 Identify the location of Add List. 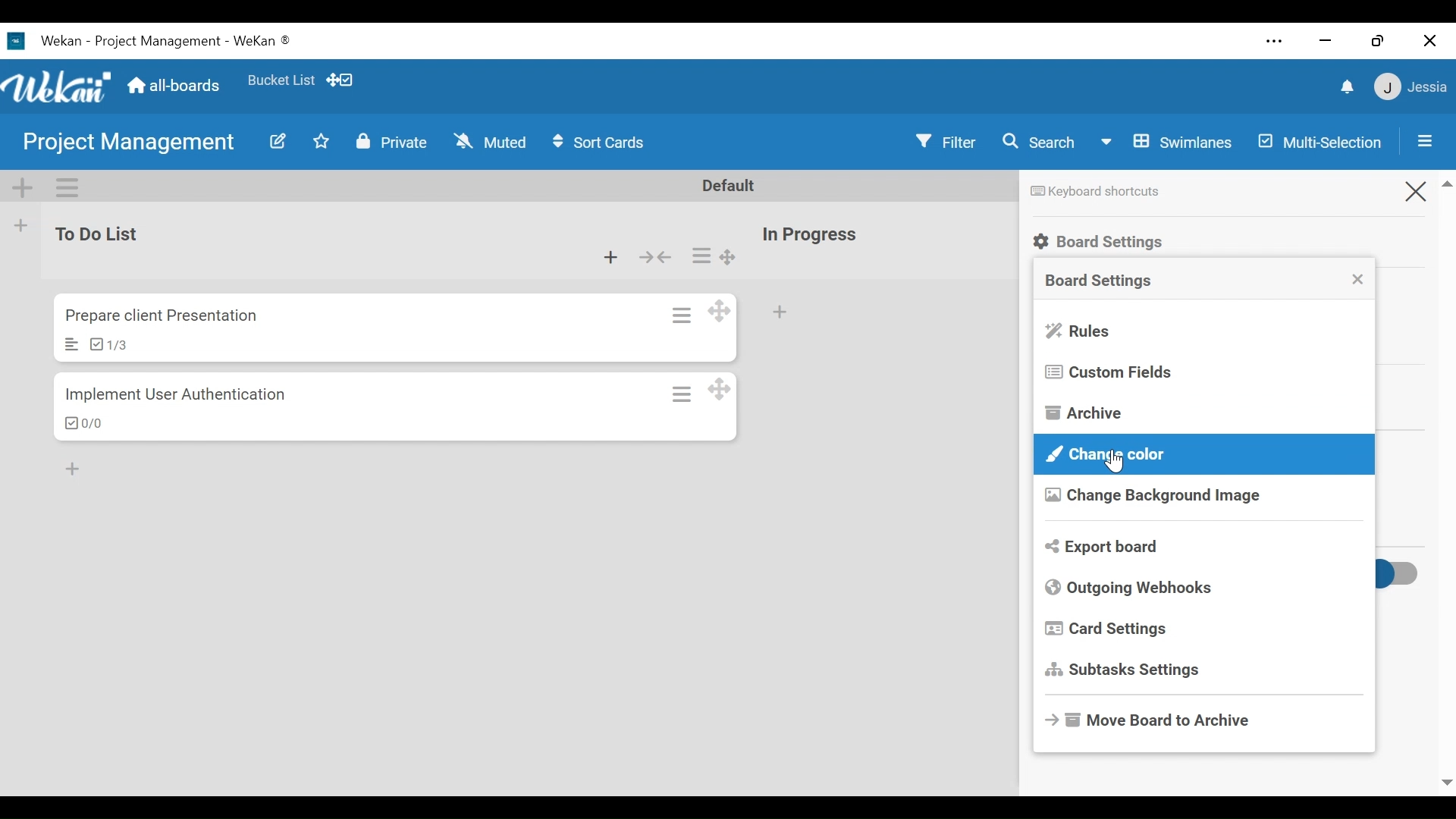
(20, 227).